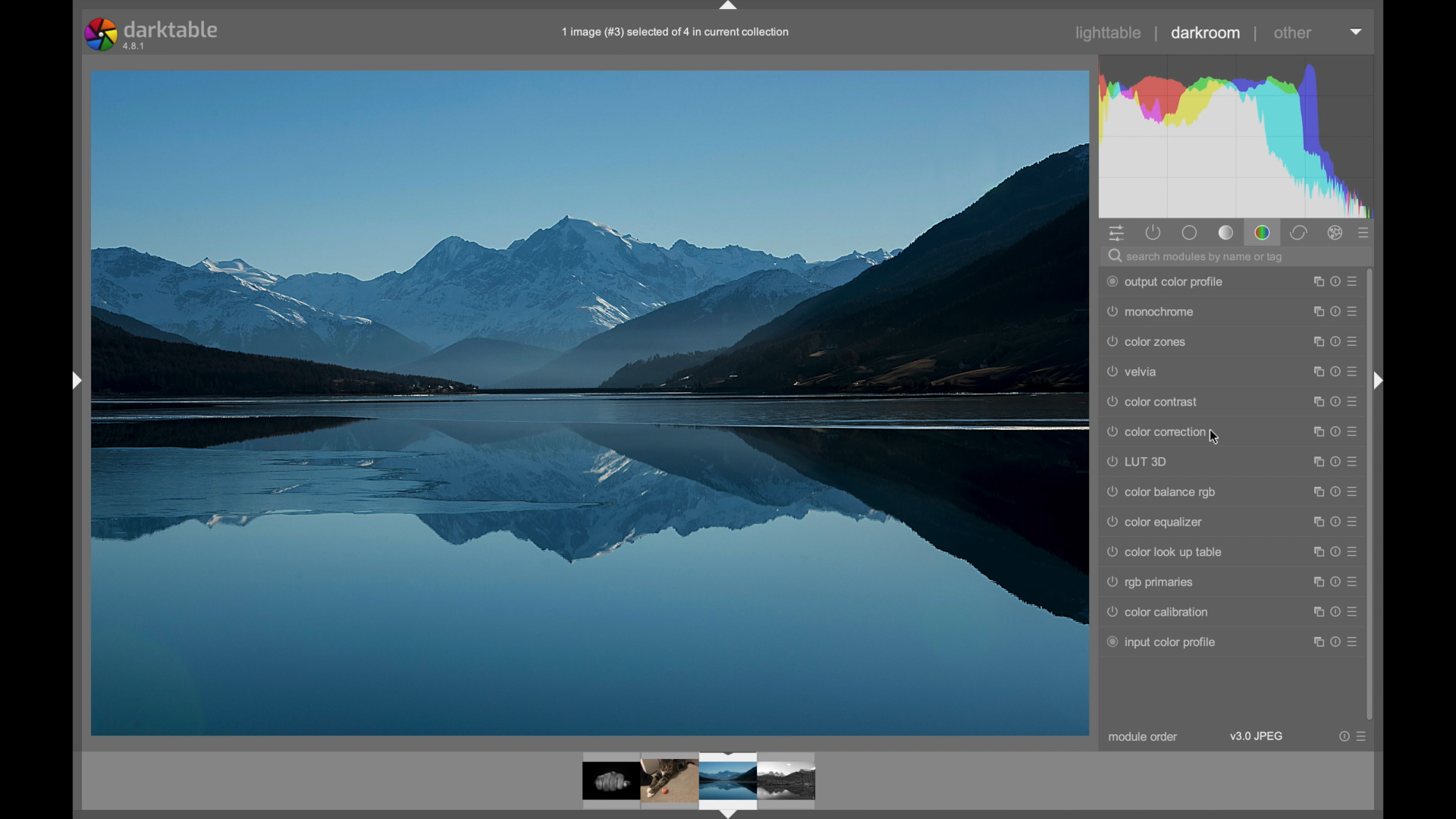 This screenshot has height=819, width=1456. I want to click on rgb primaries, so click(1151, 582).